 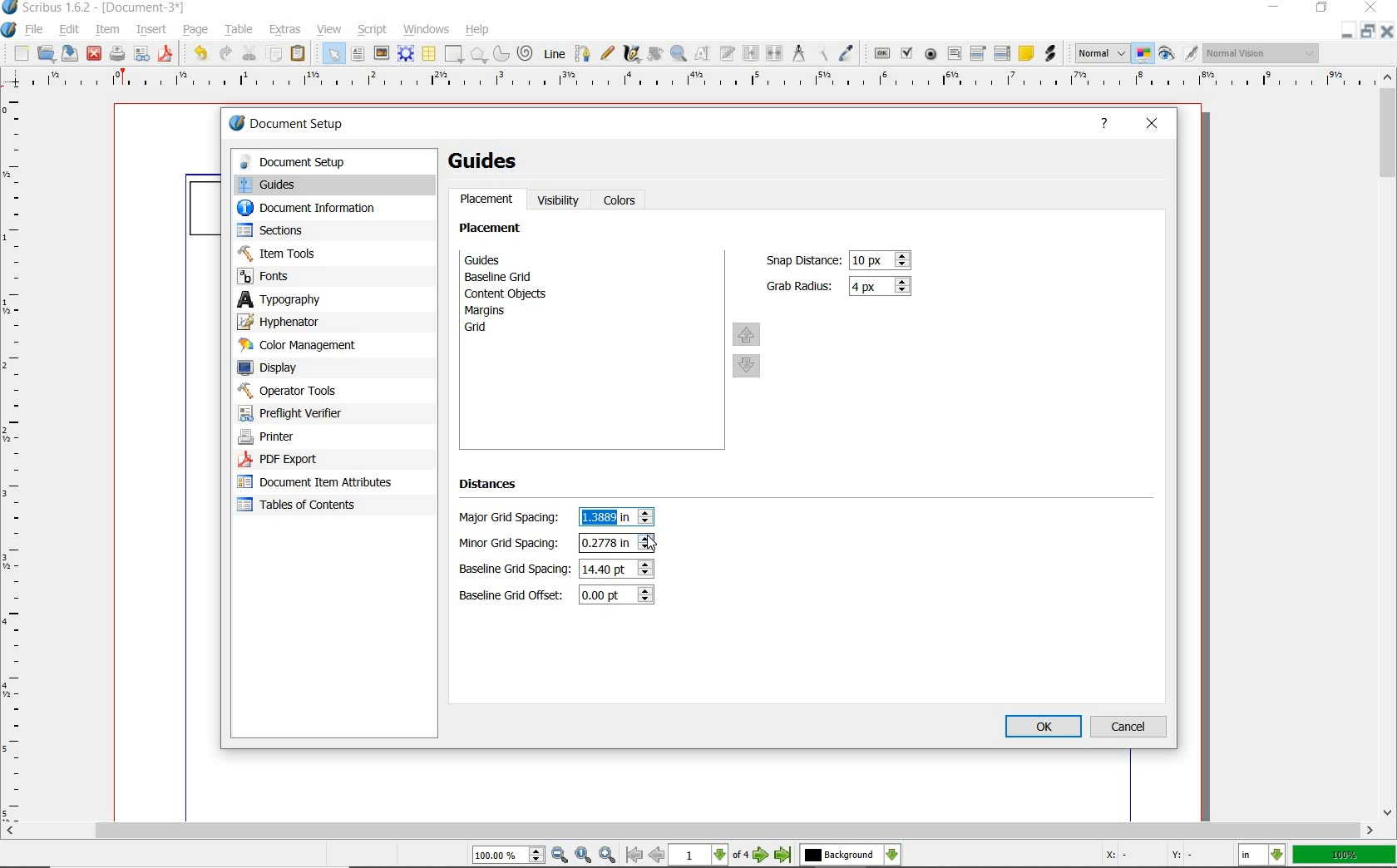 What do you see at coordinates (324, 369) in the screenshot?
I see `display` at bounding box center [324, 369].